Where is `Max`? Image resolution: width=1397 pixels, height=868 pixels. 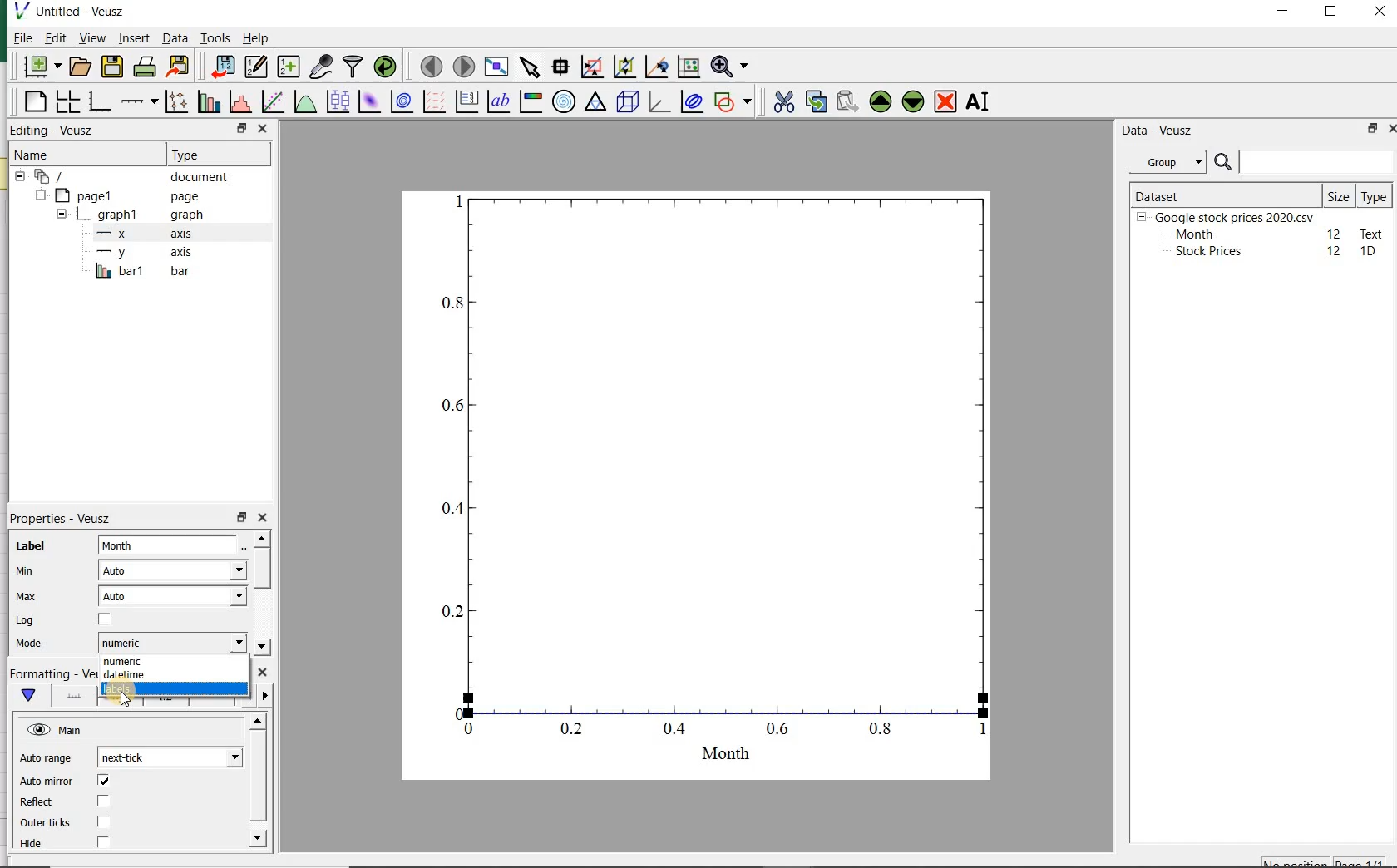 Max is located at coordinates (27, 598).